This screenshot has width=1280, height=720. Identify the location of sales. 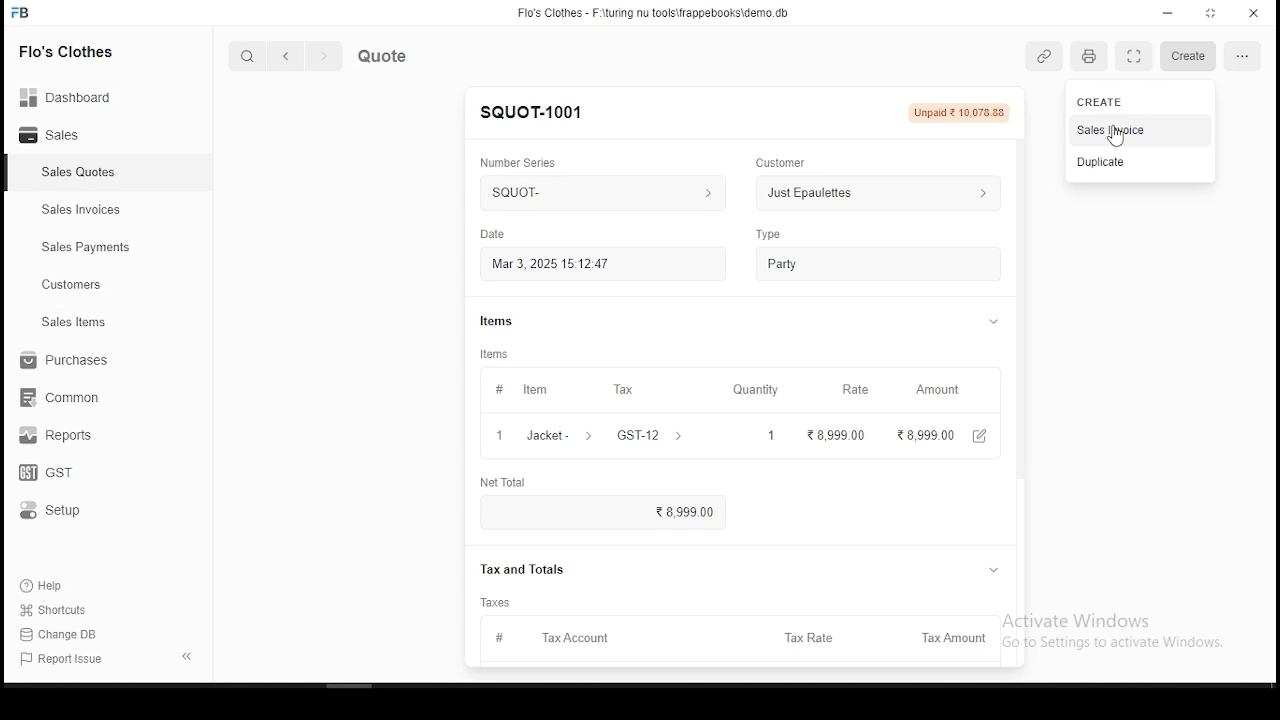
(64, 135).